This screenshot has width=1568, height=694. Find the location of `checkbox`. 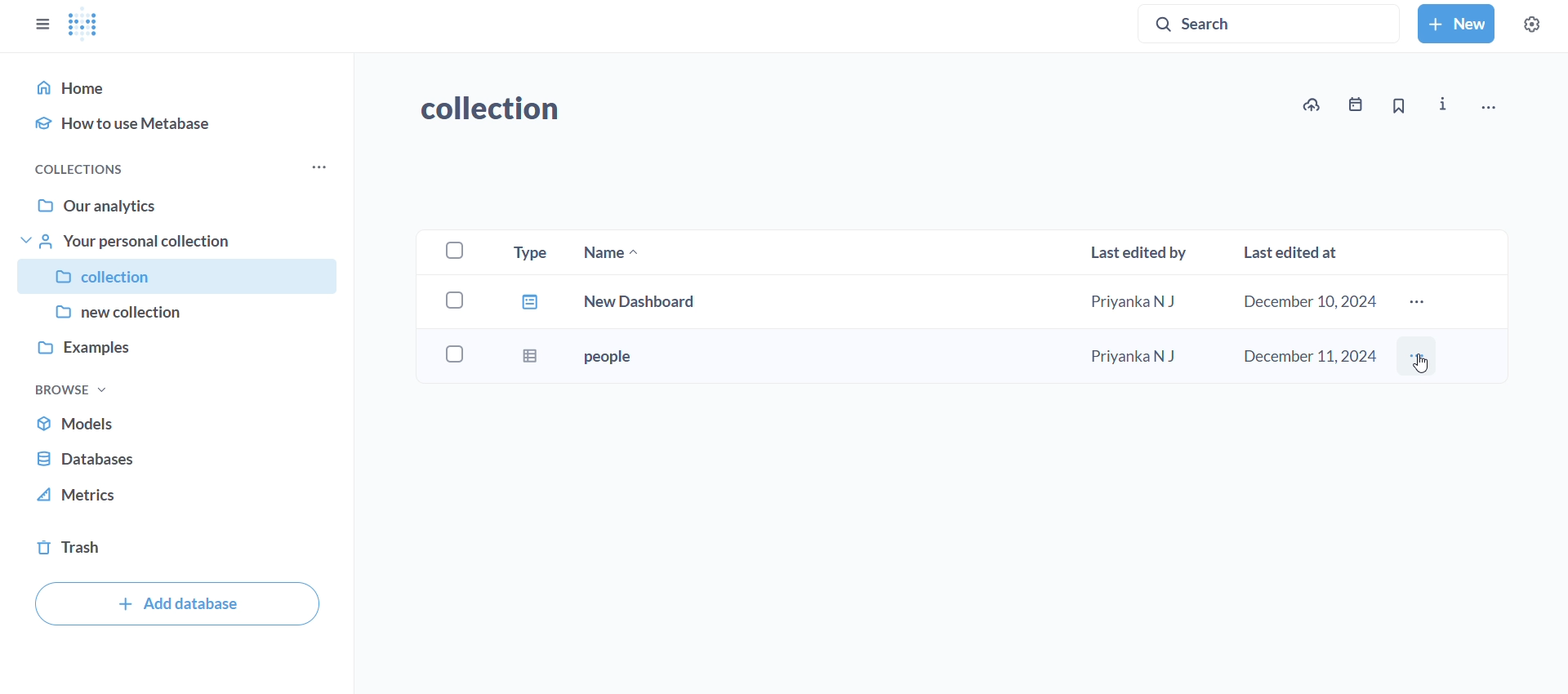

checkbox is located at coordinates (451, 353).